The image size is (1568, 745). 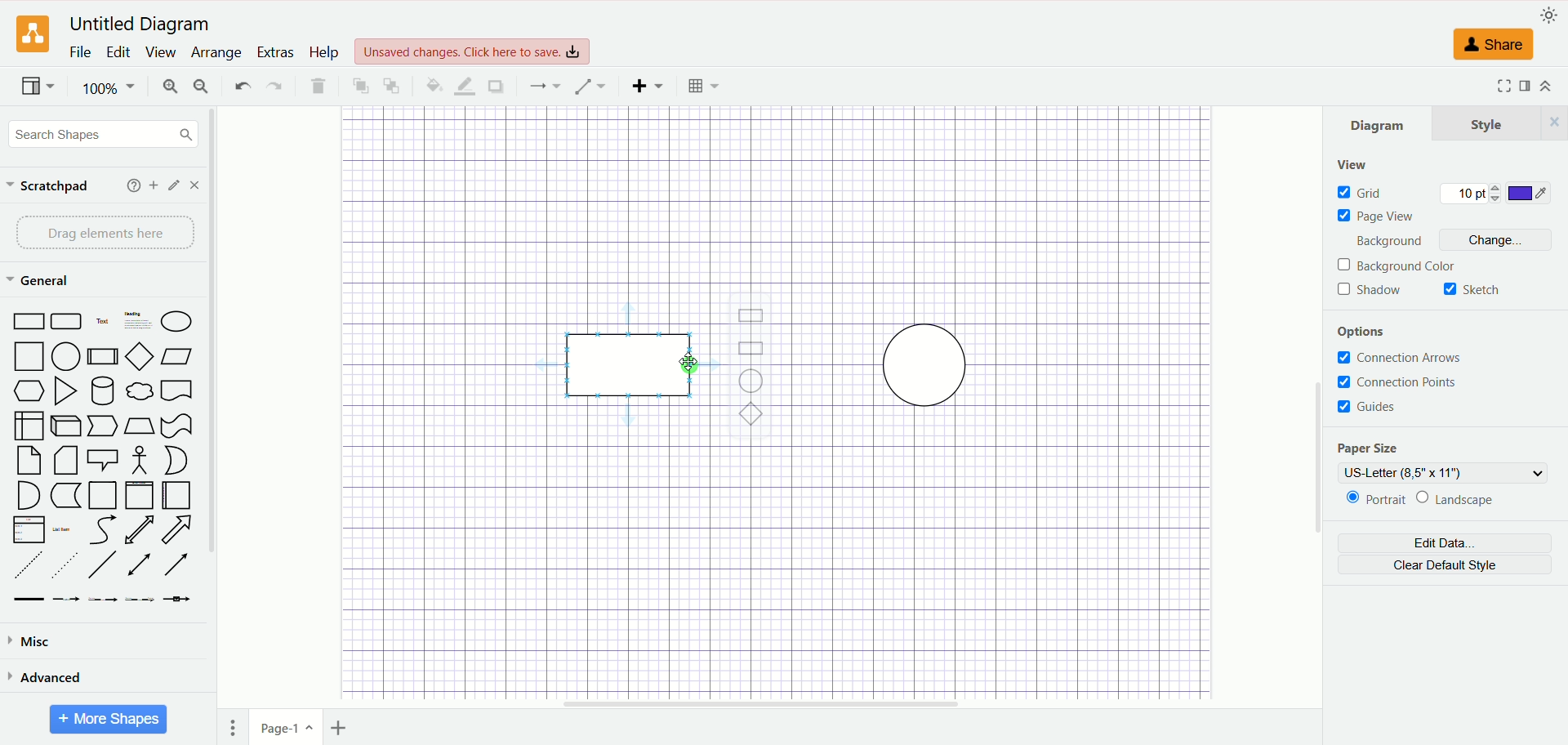 What do you see at coordinates (545, 85) in the screenshot?
I see `connection` at bounding box center [545, 85].